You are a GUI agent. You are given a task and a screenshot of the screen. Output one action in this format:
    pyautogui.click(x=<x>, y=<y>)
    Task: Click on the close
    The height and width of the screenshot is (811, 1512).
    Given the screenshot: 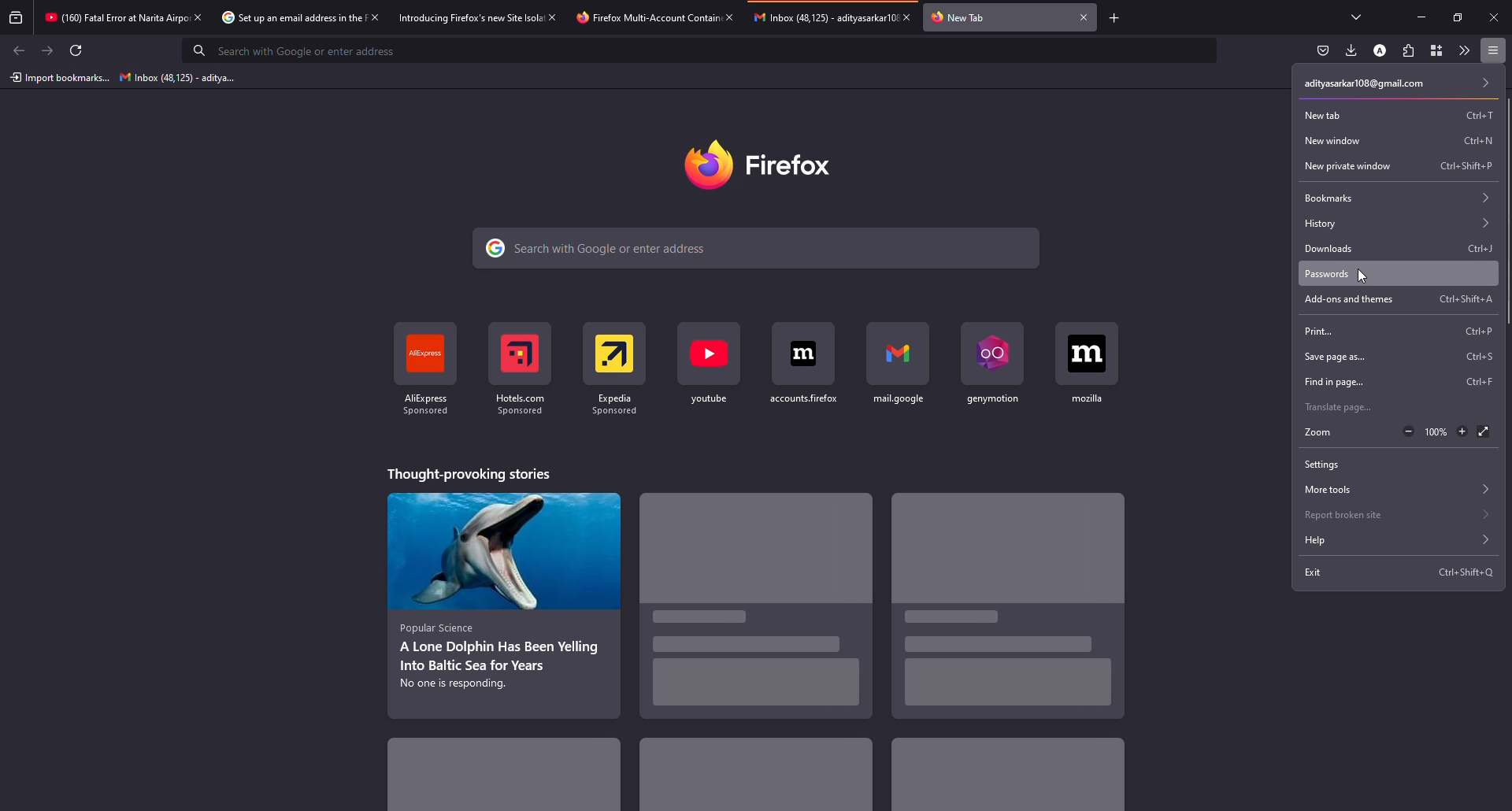 What is the action you would take?
    pyautogui.click(x=197, y=17)
    